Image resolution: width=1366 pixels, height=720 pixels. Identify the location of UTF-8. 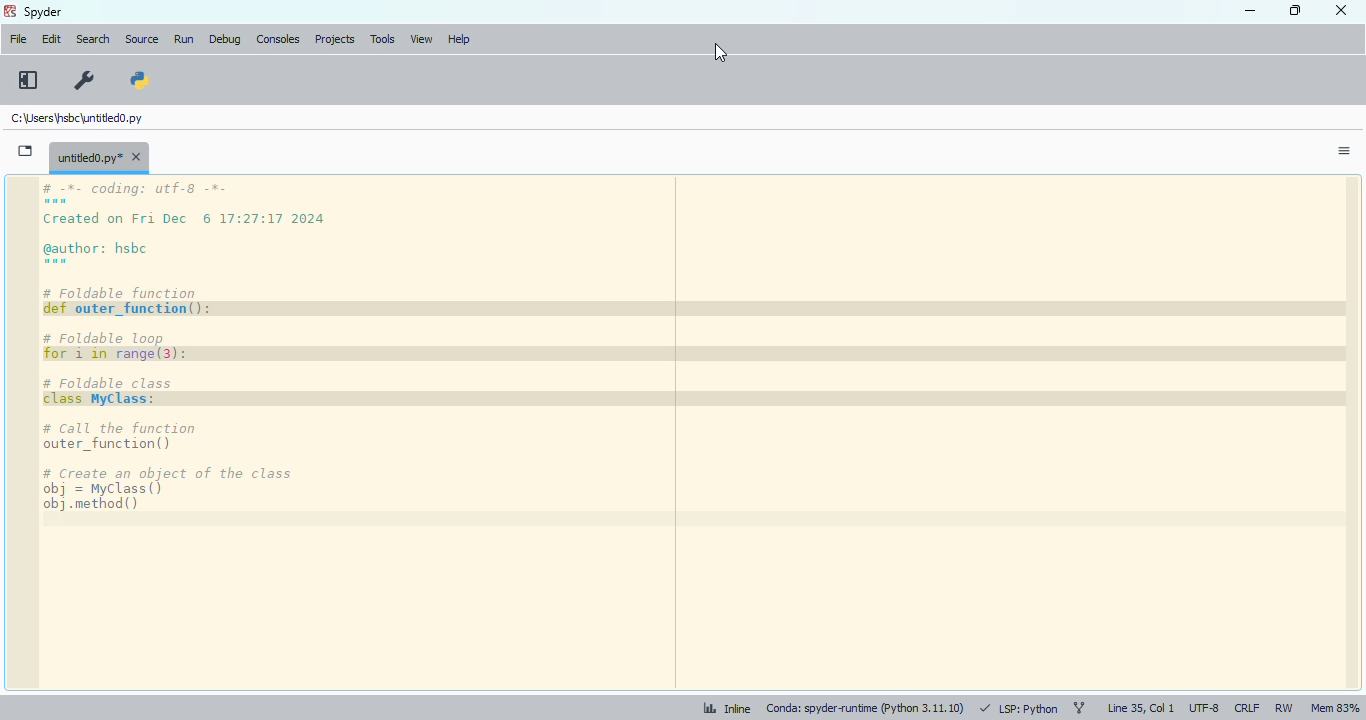
(1203, 705).